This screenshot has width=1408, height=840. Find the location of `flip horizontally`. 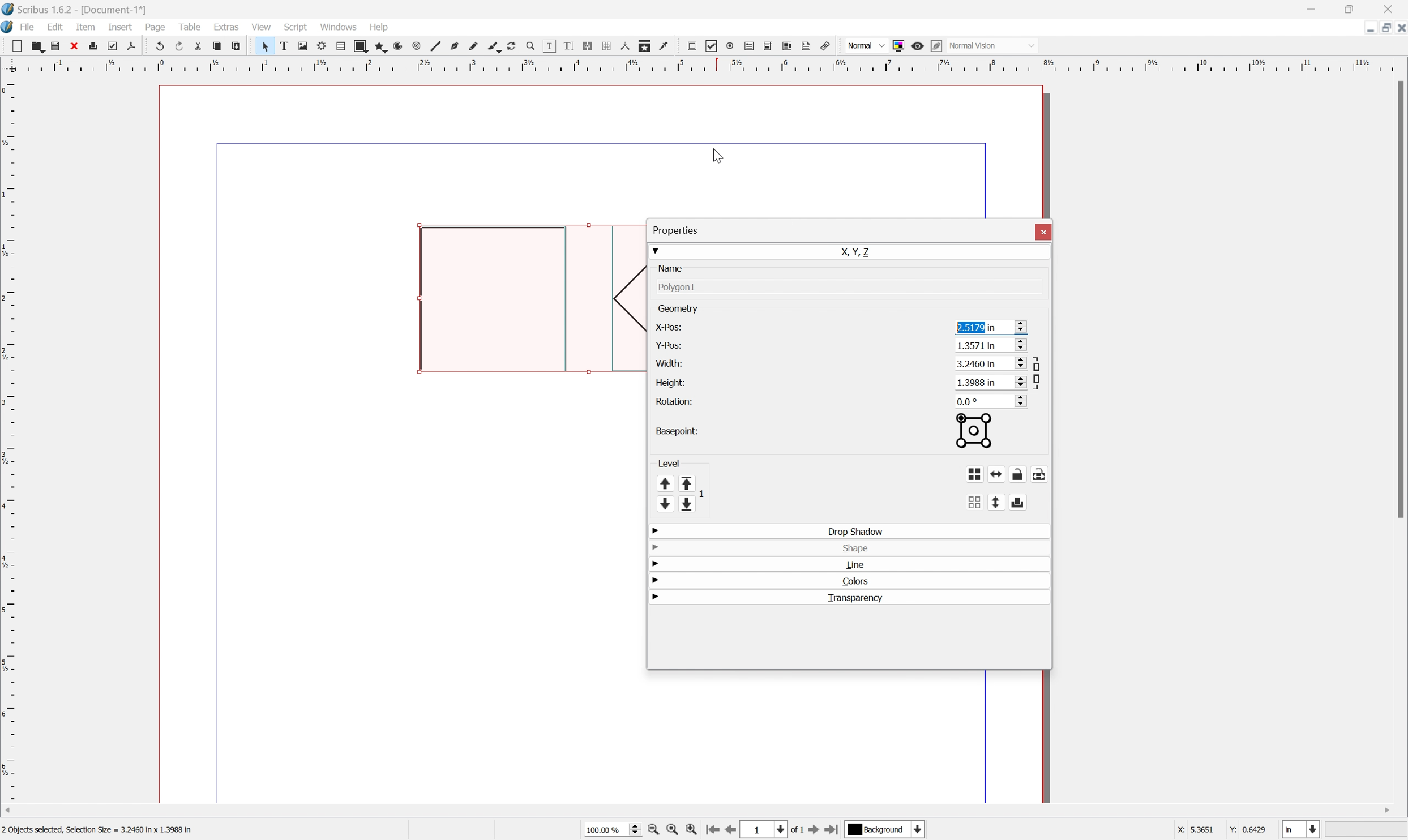

flip horizontally is located at coordinates (997, 474).